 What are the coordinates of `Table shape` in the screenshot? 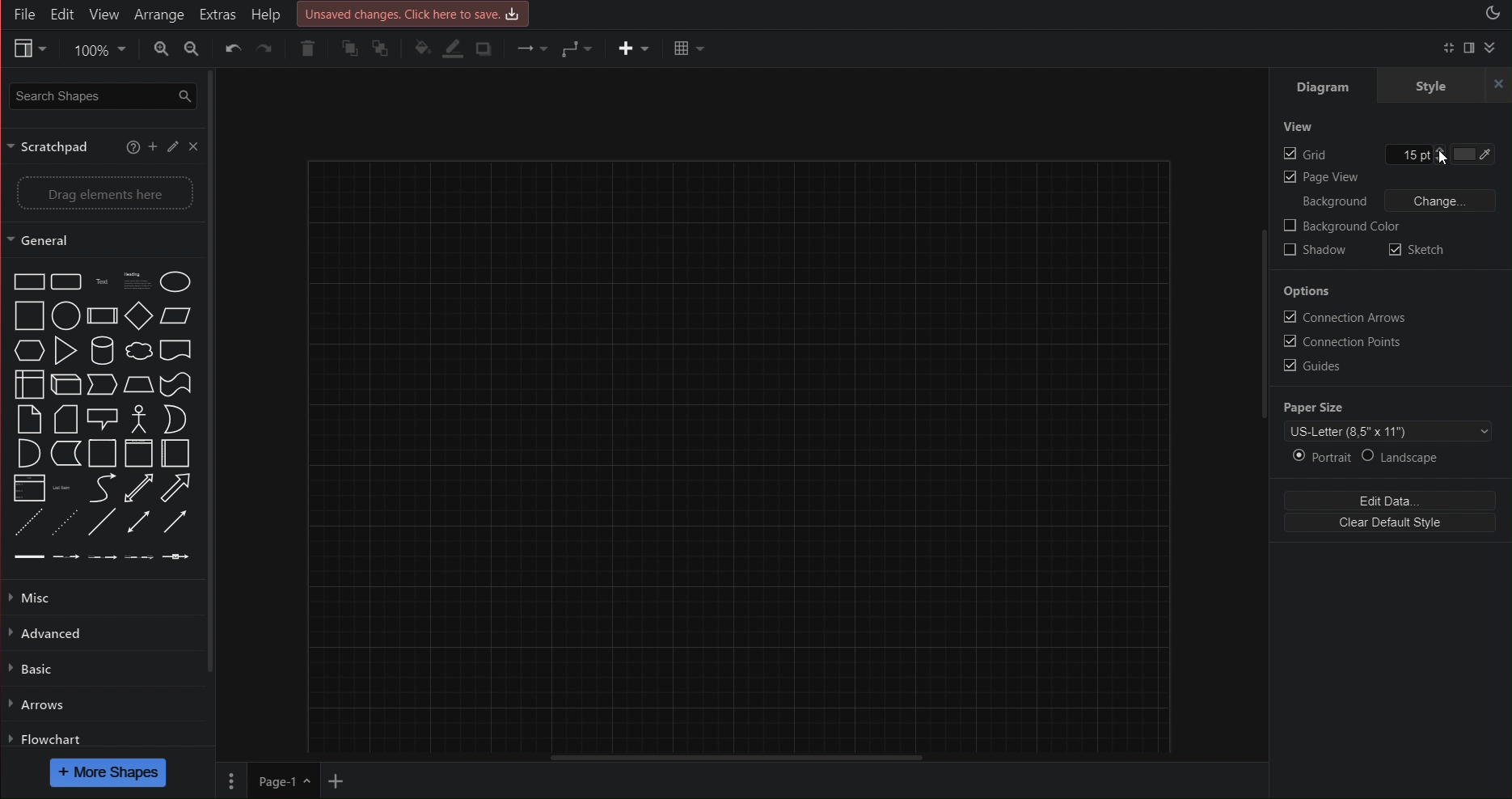 It's located at (23, 383).